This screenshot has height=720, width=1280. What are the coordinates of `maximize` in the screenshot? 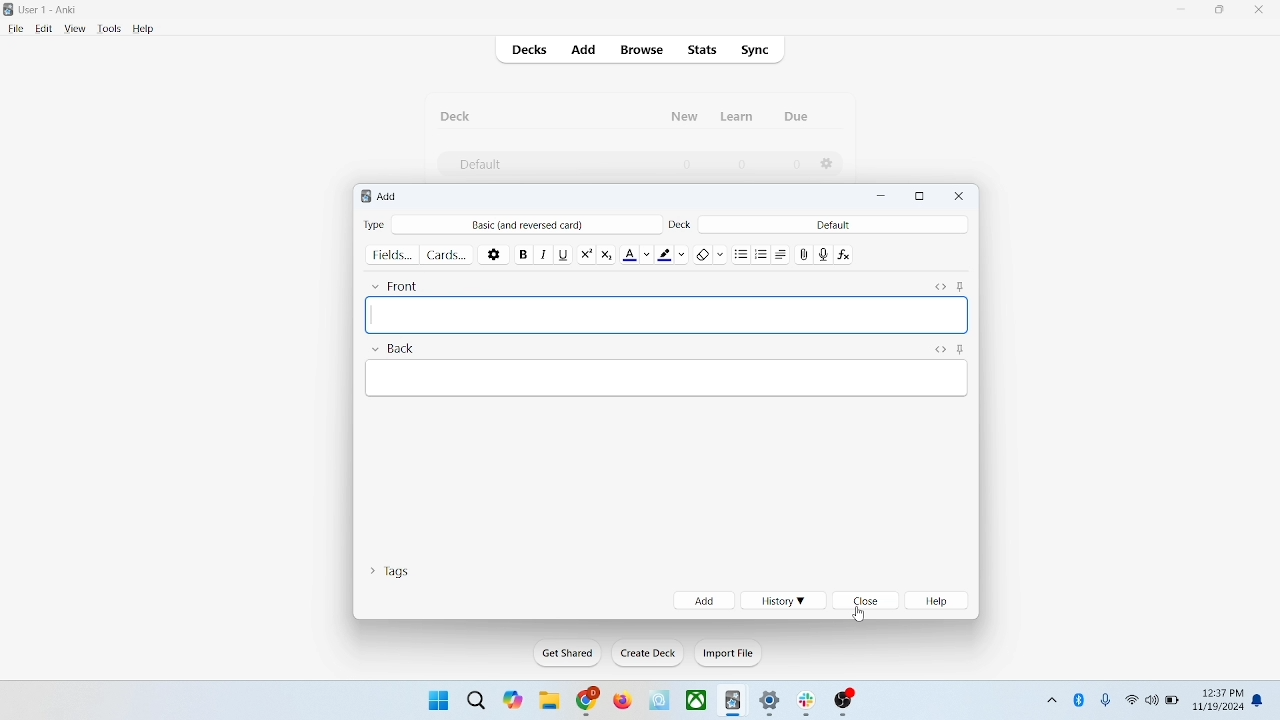 It's located at (1220, 13).